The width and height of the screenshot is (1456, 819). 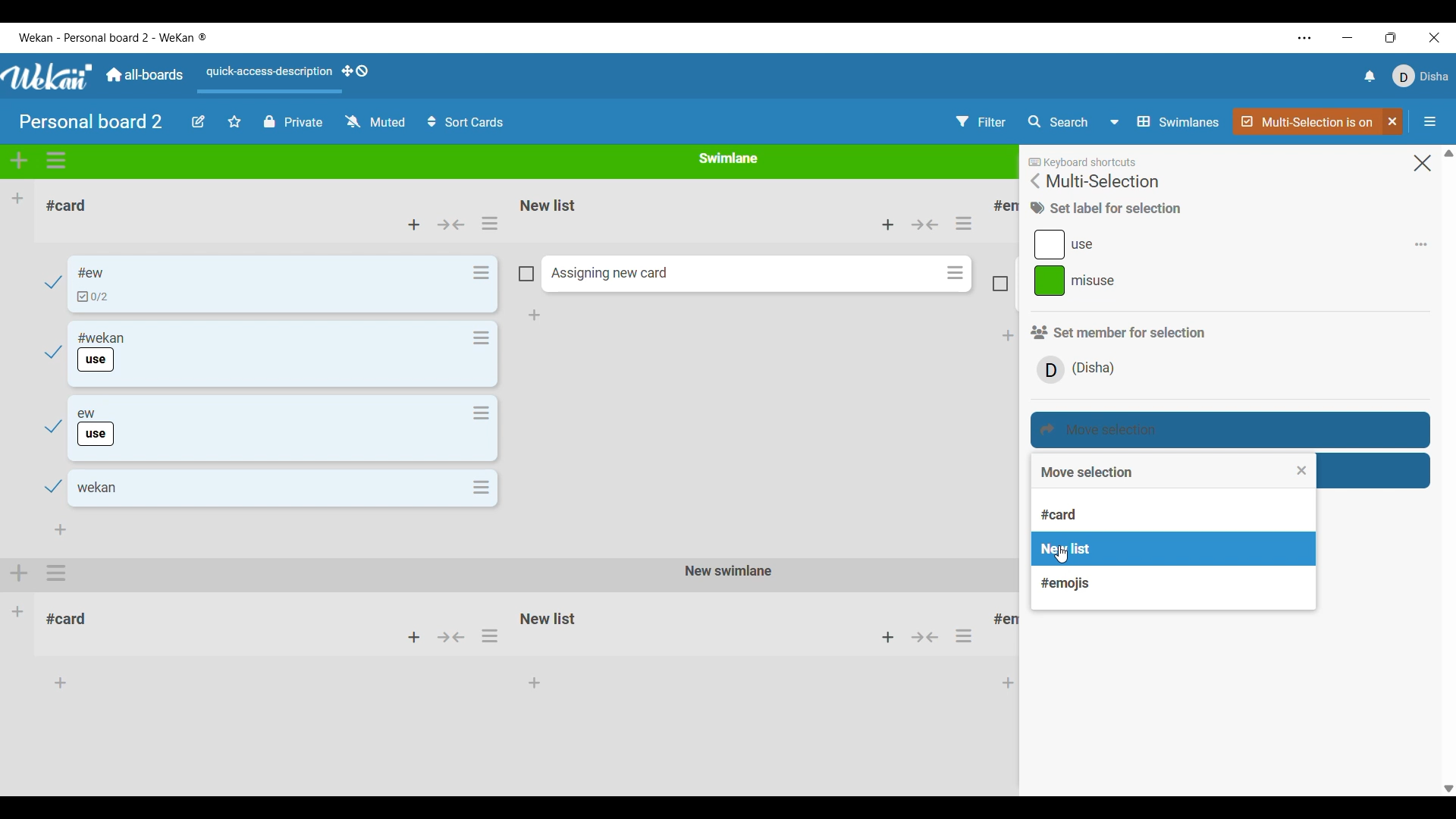 What do you see at coordinates (60, 530) in the screenshot?
I see `Add card to bottom of list` at bounding box center [60, 530].